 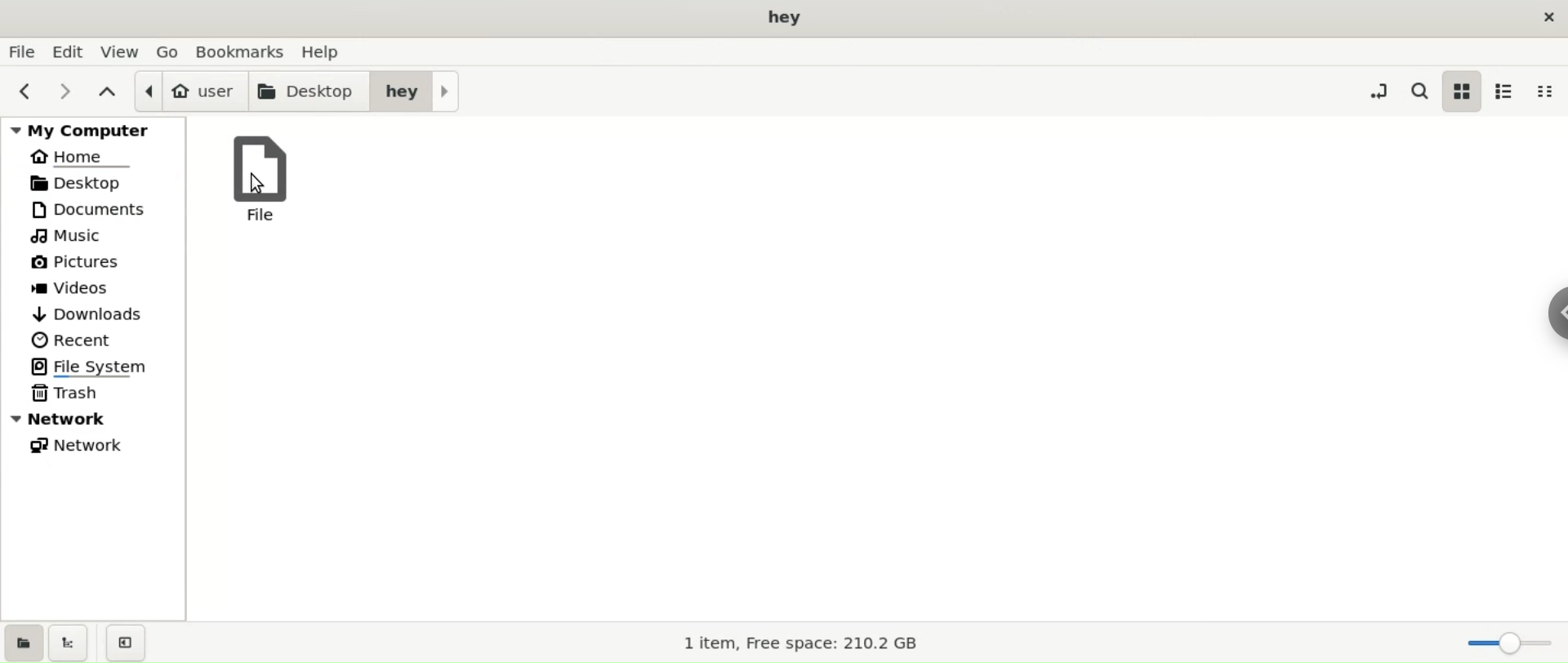 I want to click on videos, so click(x=92, y=287).